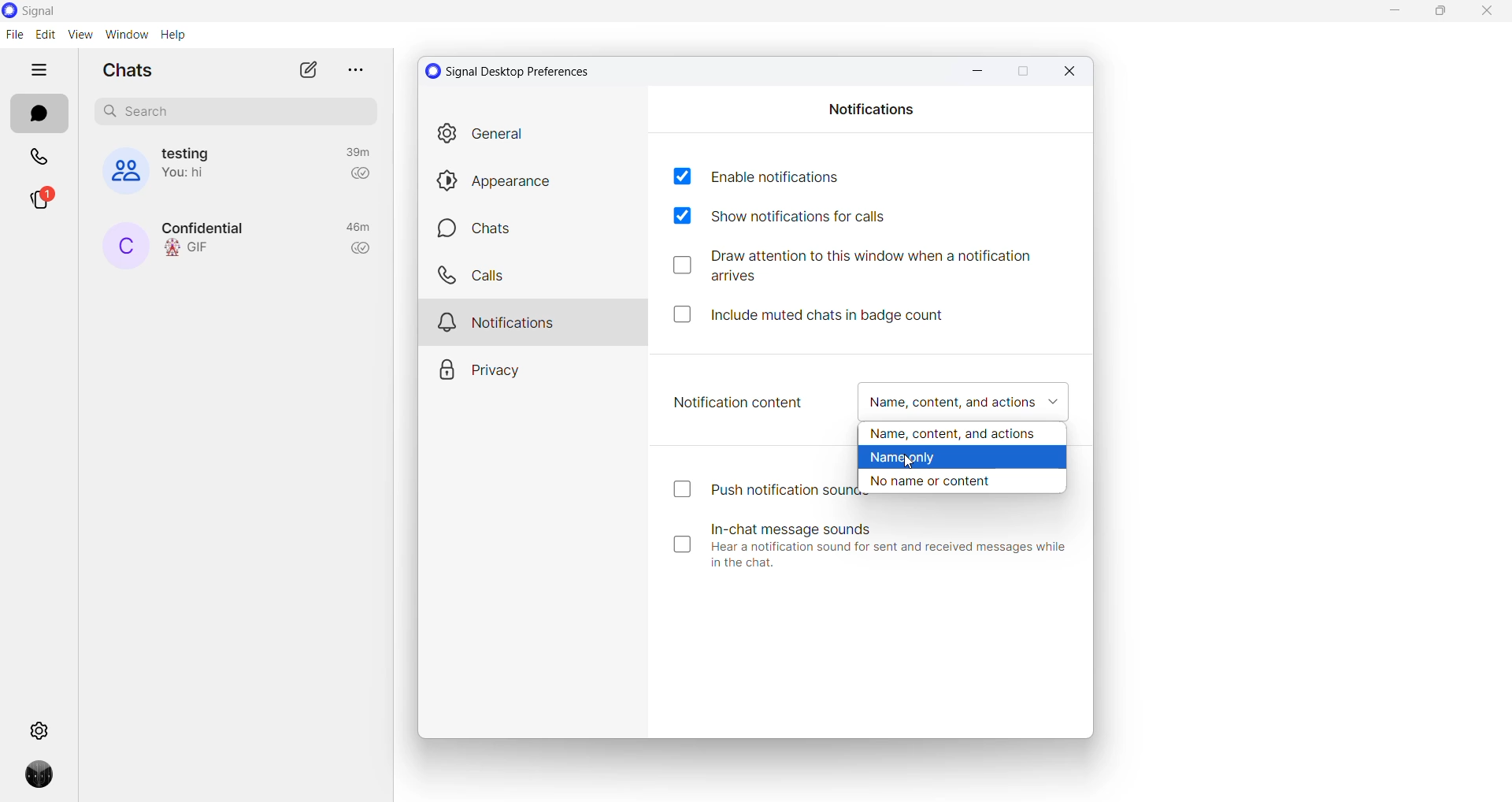 This screenshot has height=802, width=1512. Describe the element at coordinates (873, 108) in the screenshot. I see `notifications heading` at that location.